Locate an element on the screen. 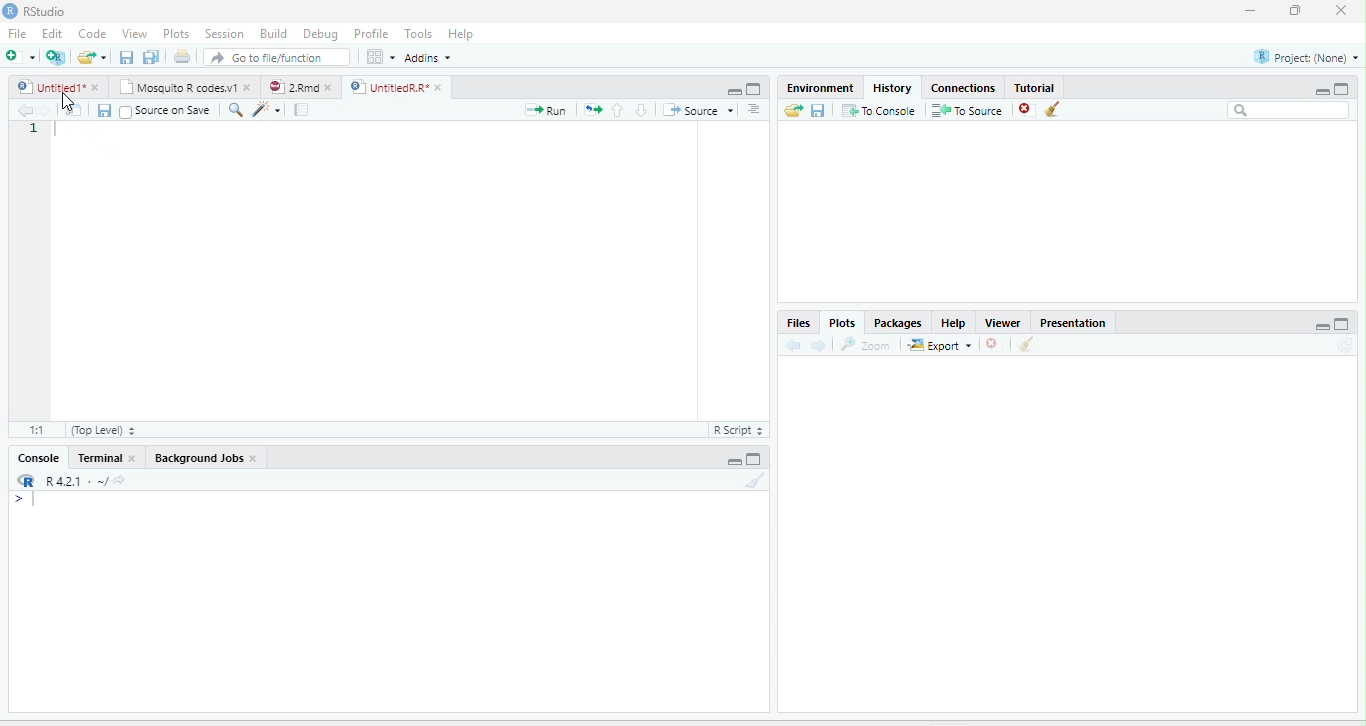  close is located at coordinates (438, 87).